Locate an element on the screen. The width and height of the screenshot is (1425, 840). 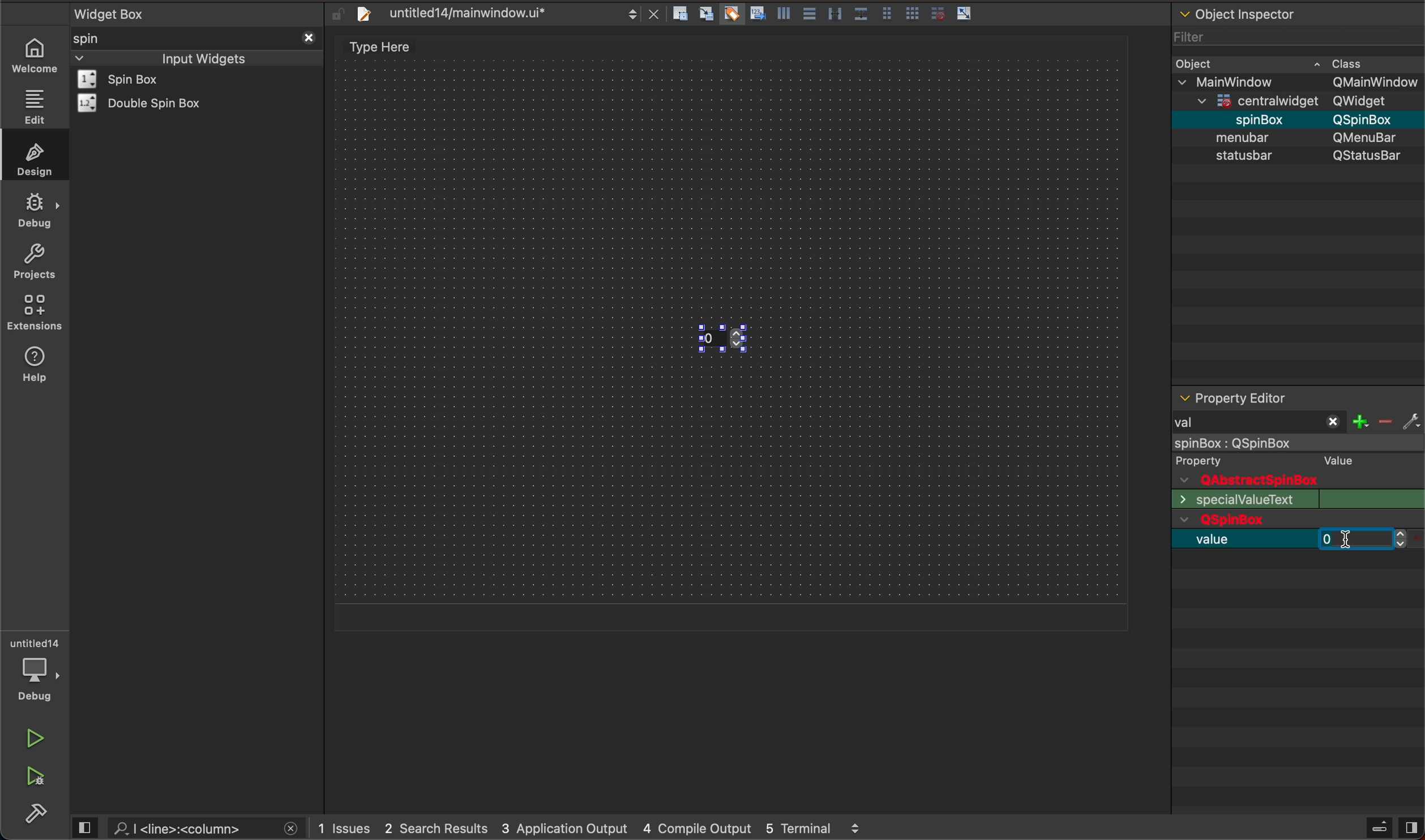
design is located at coordinates (32, 157).